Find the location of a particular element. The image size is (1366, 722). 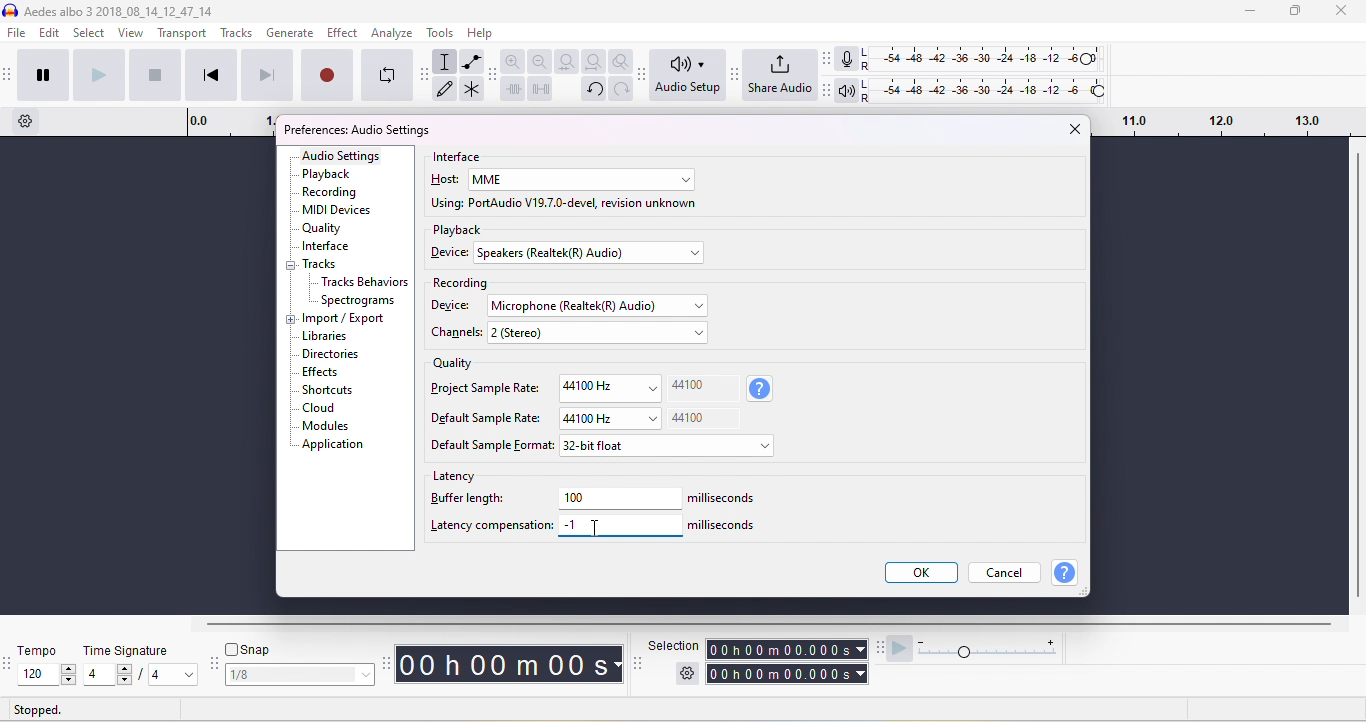

select host is located at coordinates (581, 180).